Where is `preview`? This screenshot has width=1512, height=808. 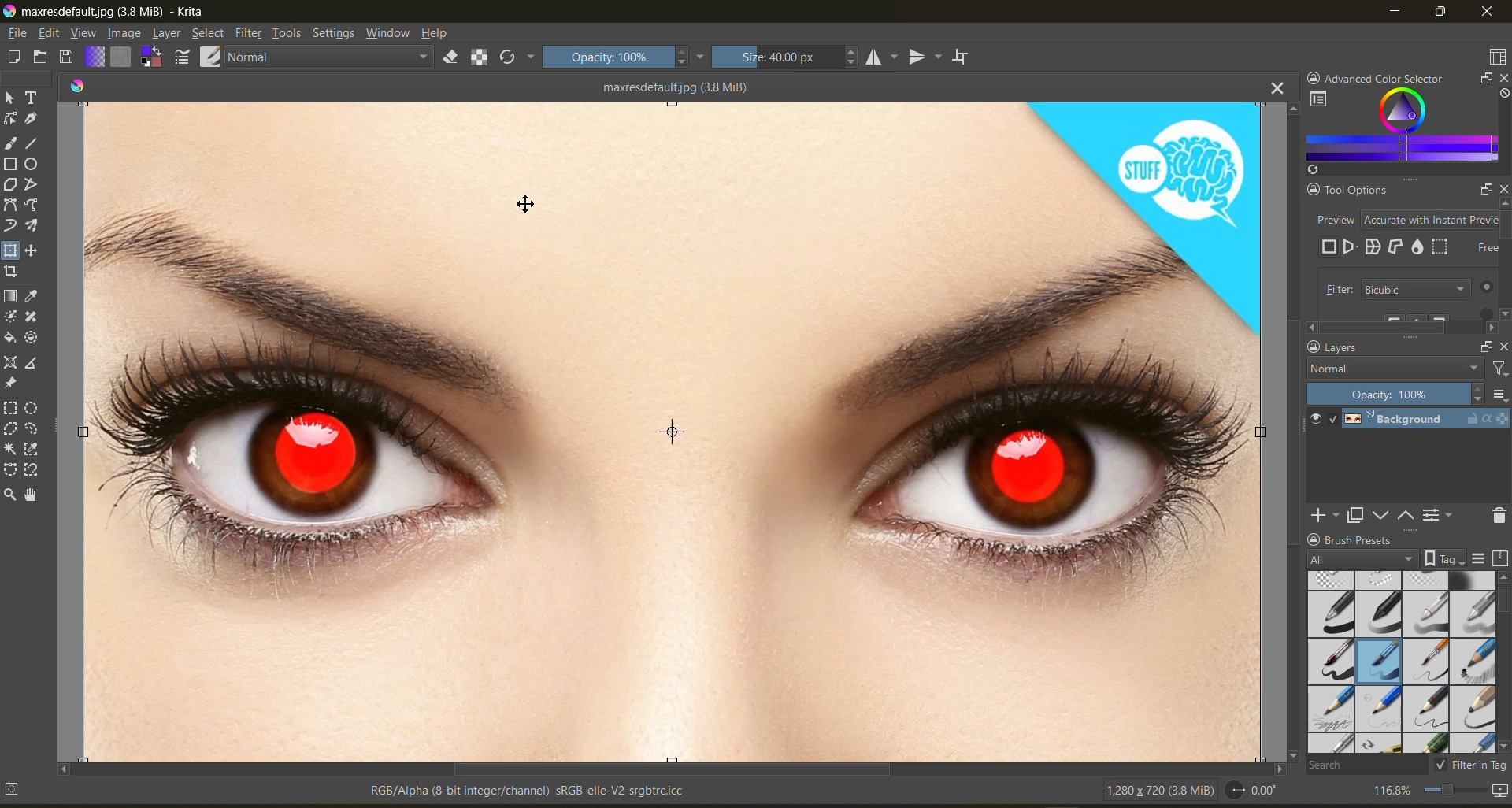 preview is located at coordinates (1402, 220).